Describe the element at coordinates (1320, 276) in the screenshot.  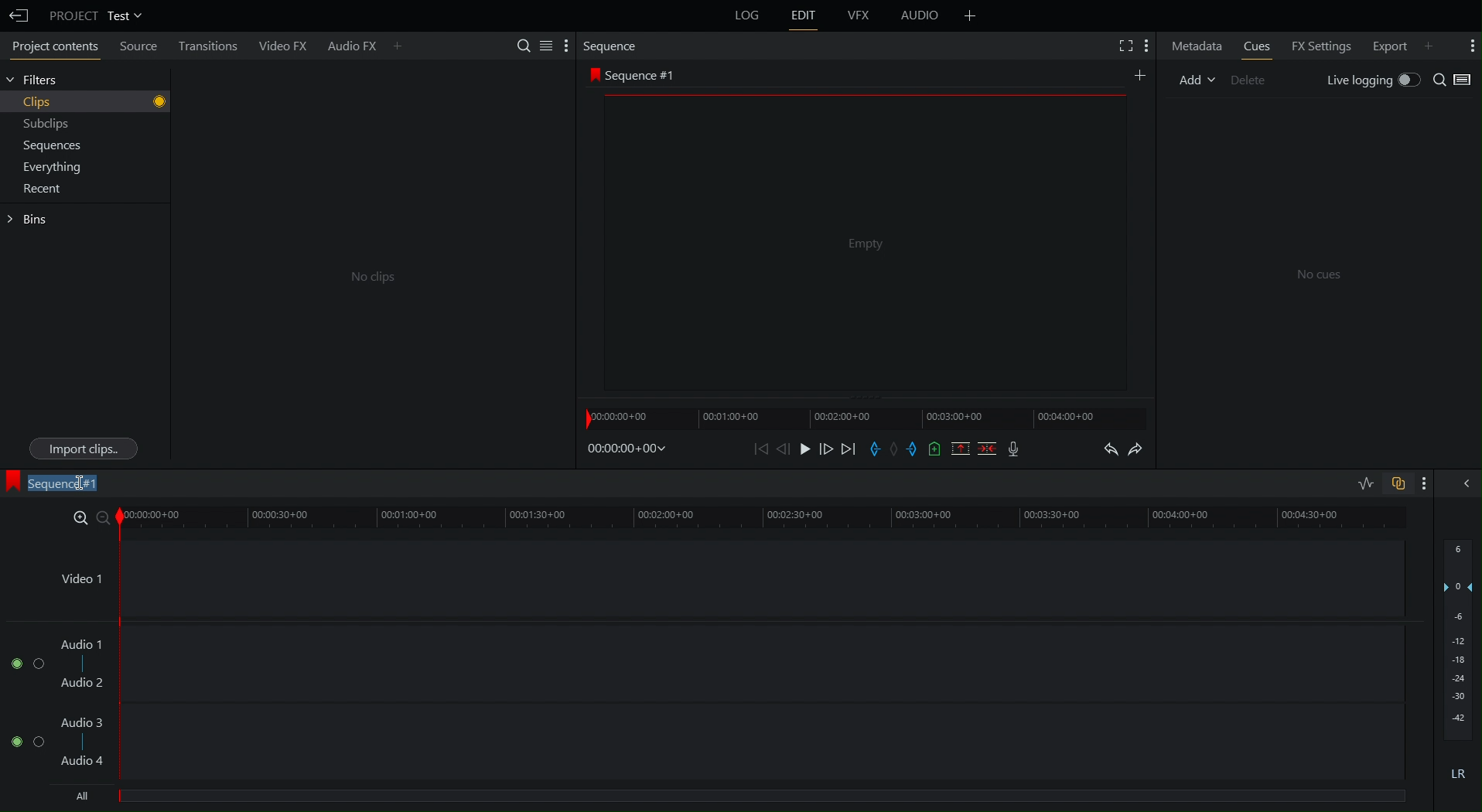
I see `No cues` at that location.